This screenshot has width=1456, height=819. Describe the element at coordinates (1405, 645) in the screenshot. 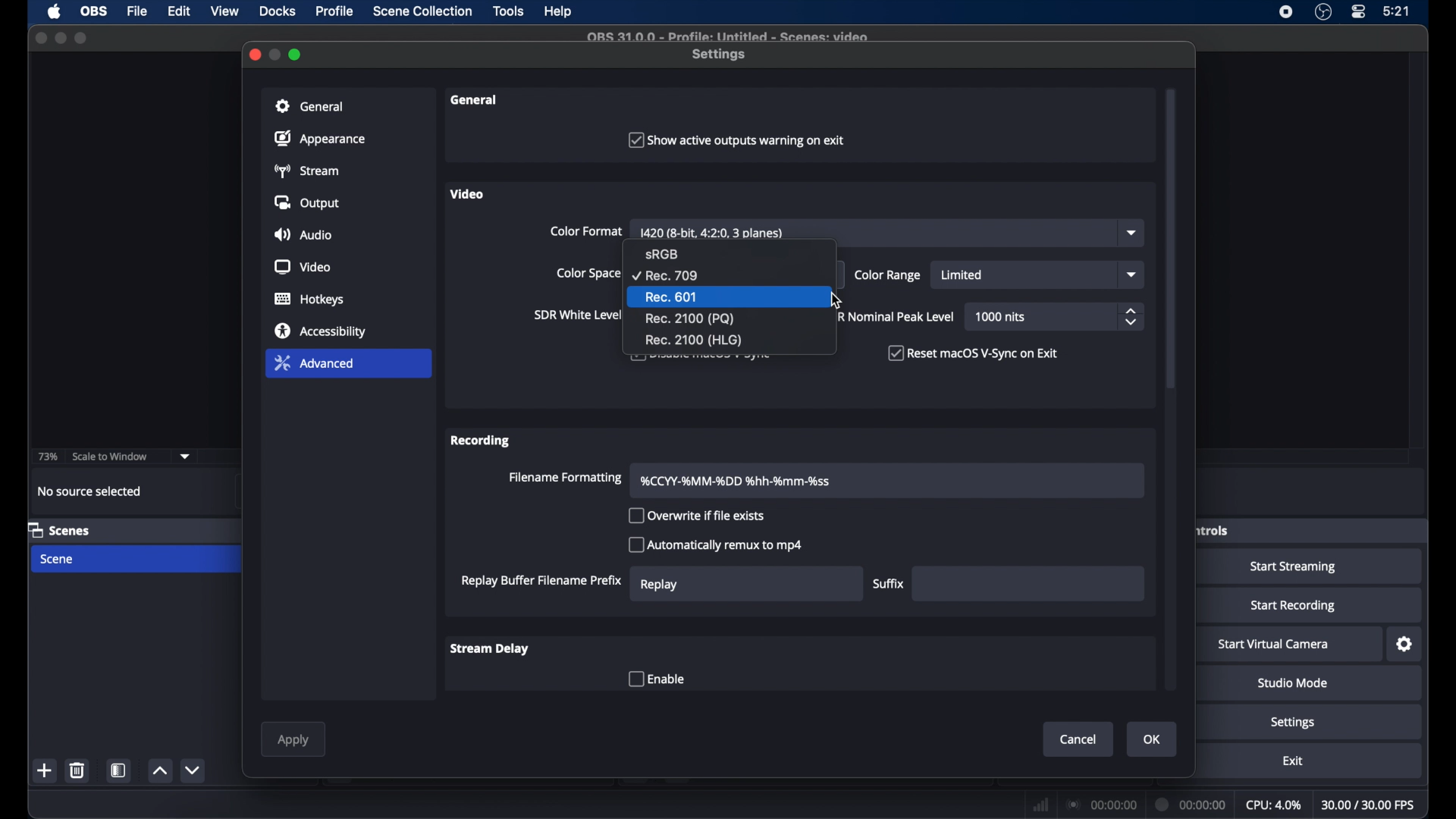

I see `settings` at that location.